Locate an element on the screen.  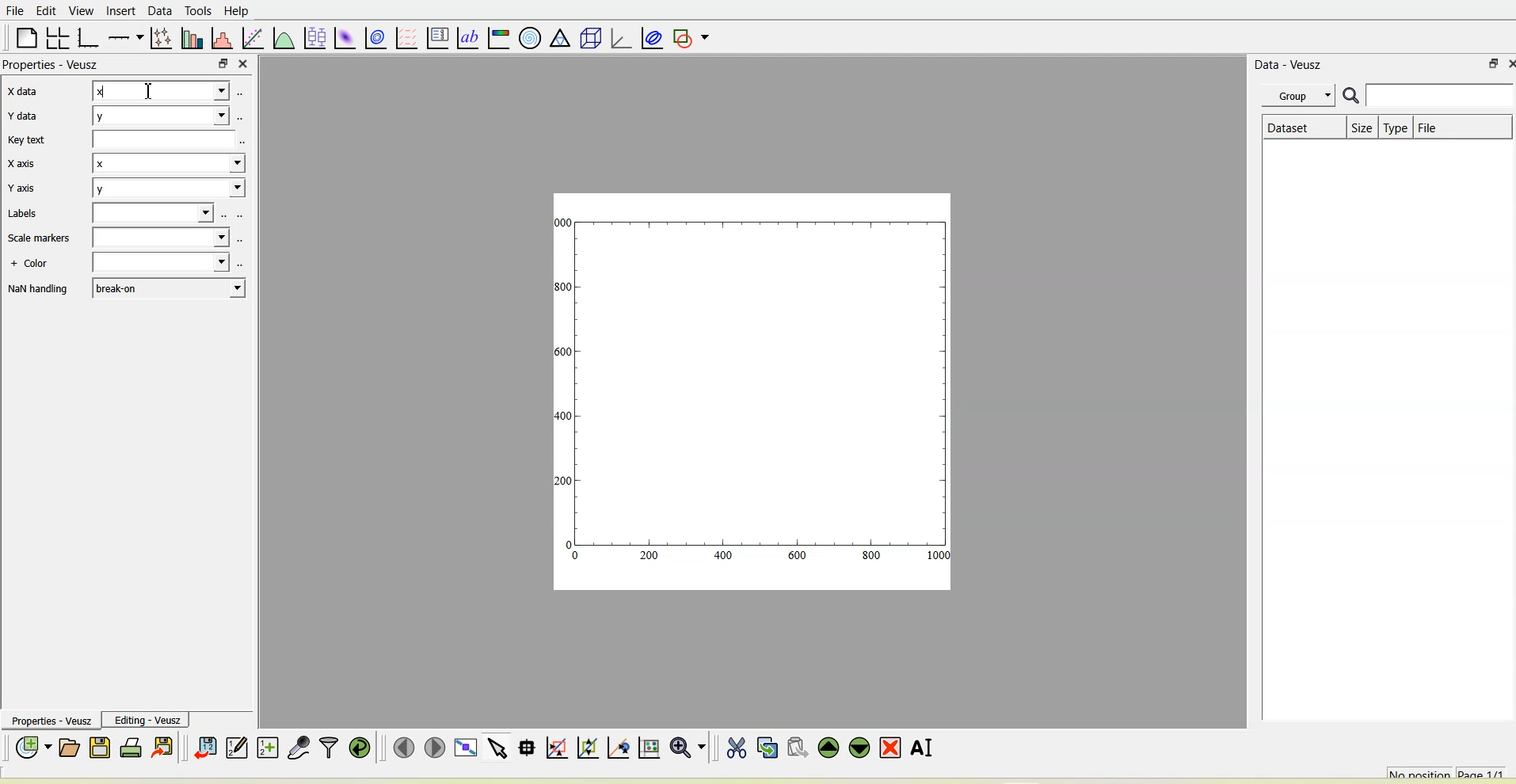
Y axis is located at coordinates (24, 187).